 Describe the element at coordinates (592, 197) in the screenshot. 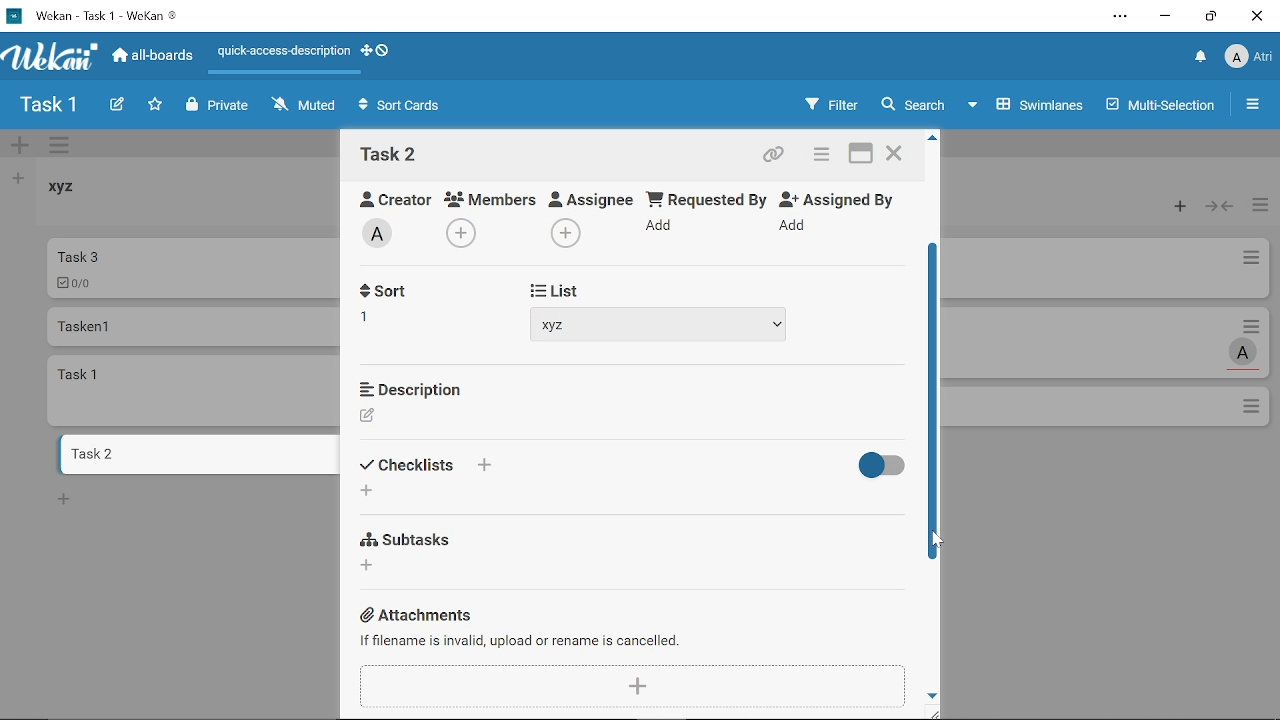

I see `Assignee` at that location.